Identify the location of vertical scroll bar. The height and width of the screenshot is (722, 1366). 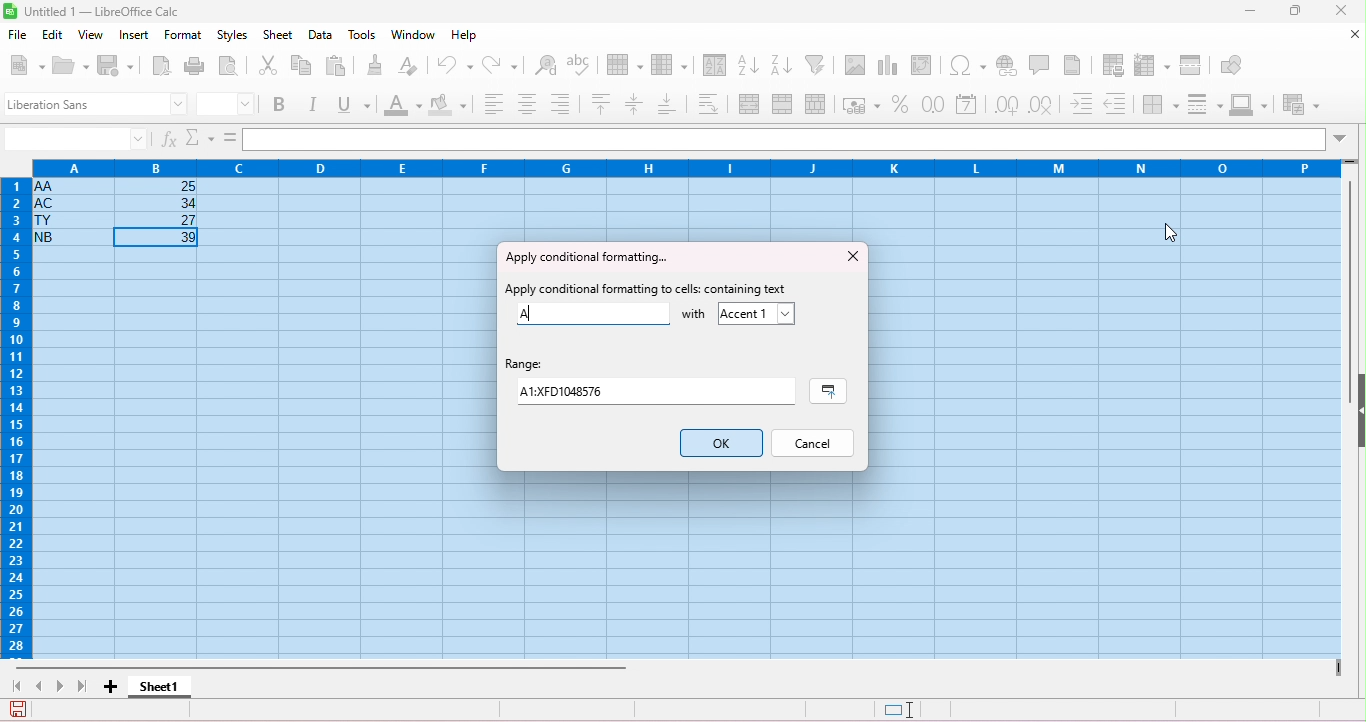
(1352, 264).